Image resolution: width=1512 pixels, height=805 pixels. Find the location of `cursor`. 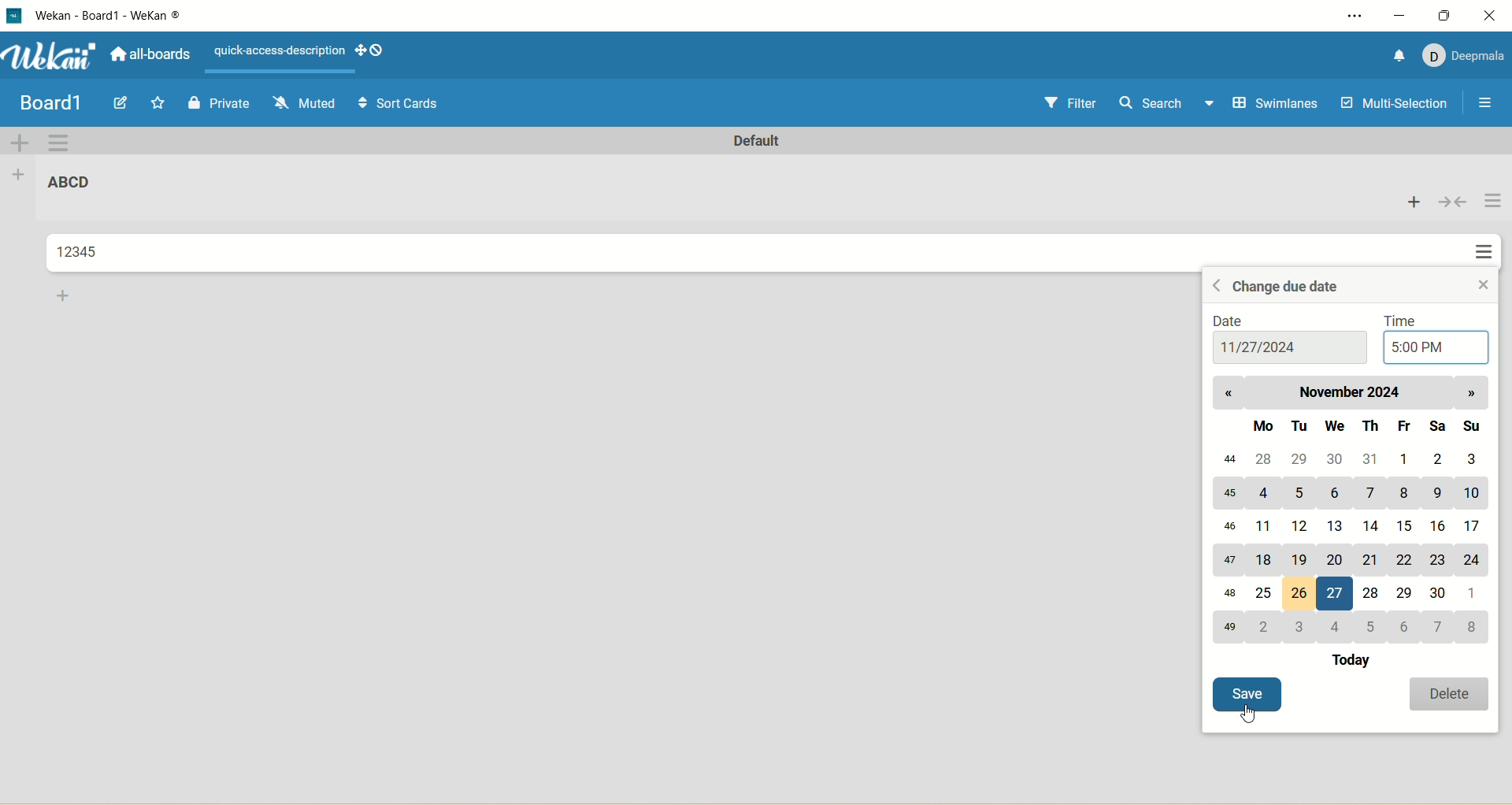

cursor is located at coordinates (1251, 714).